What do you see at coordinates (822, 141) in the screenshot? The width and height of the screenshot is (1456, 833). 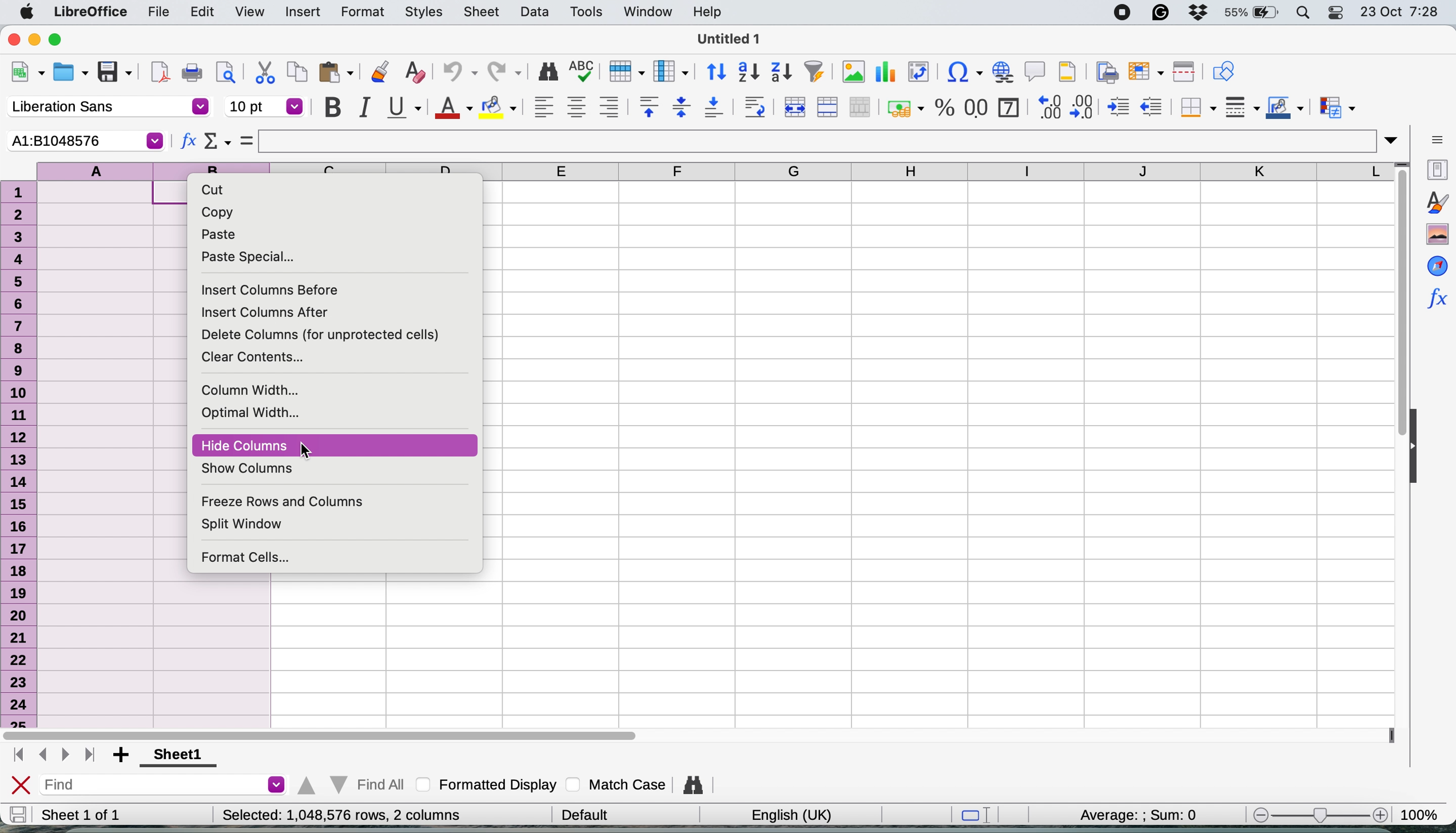 I see `formula bar` at bounding box center [822, 141].